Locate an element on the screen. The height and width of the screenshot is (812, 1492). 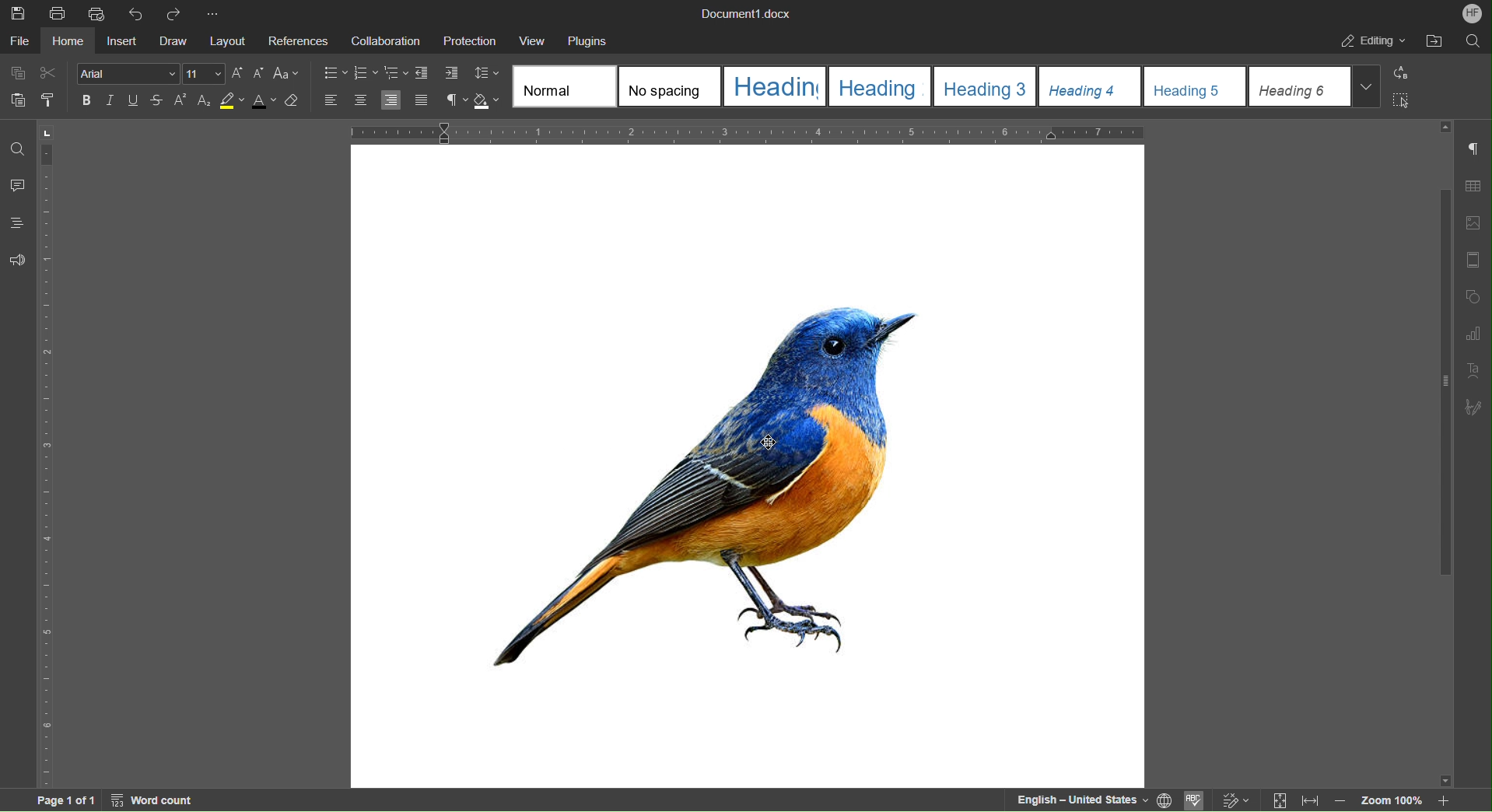
English — United States is located at coordinates (1079, 799).